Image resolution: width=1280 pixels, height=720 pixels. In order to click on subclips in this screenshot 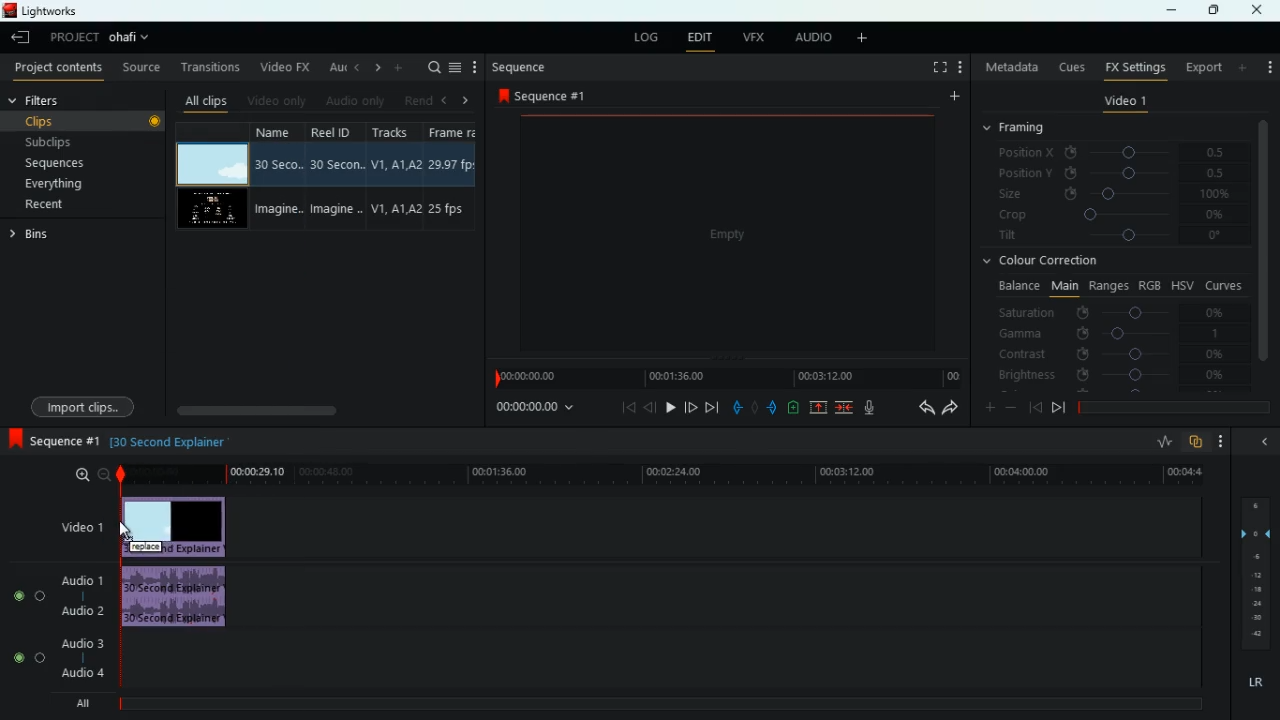, I will do `click(78, 140)`.